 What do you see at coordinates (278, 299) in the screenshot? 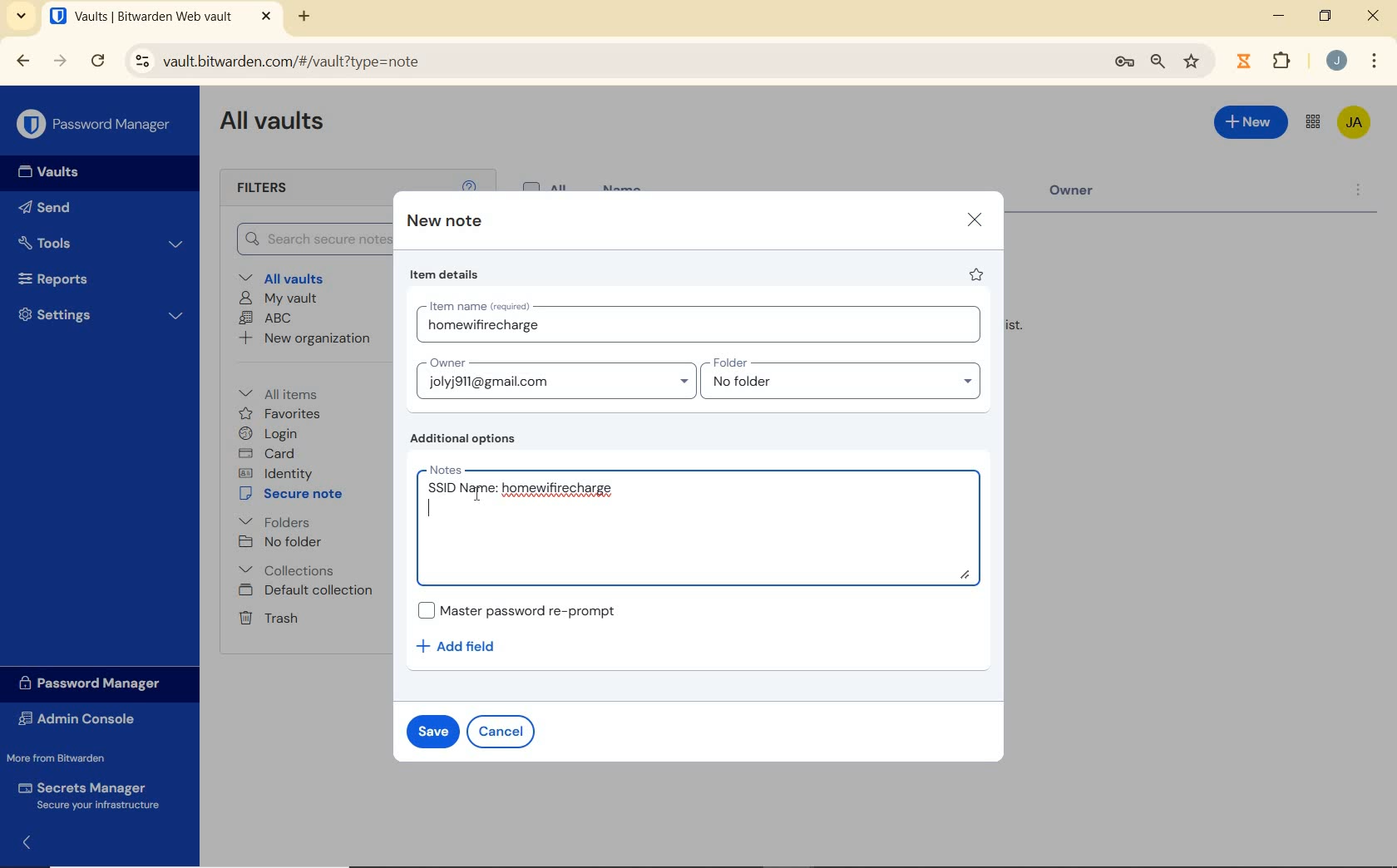
I see `My Vault` at bounding box center [278, 299].